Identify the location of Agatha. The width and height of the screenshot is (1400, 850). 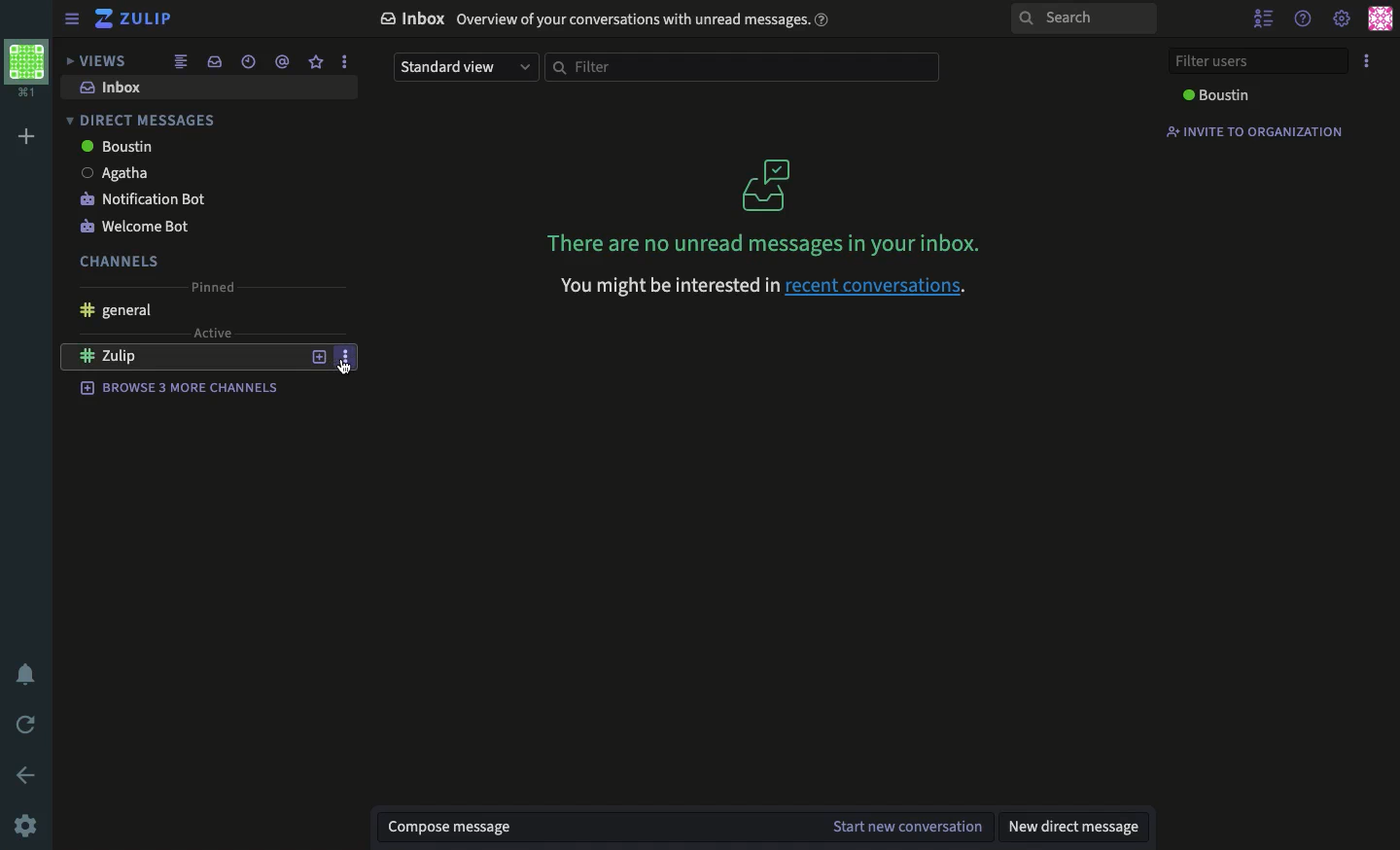
(114, 173).